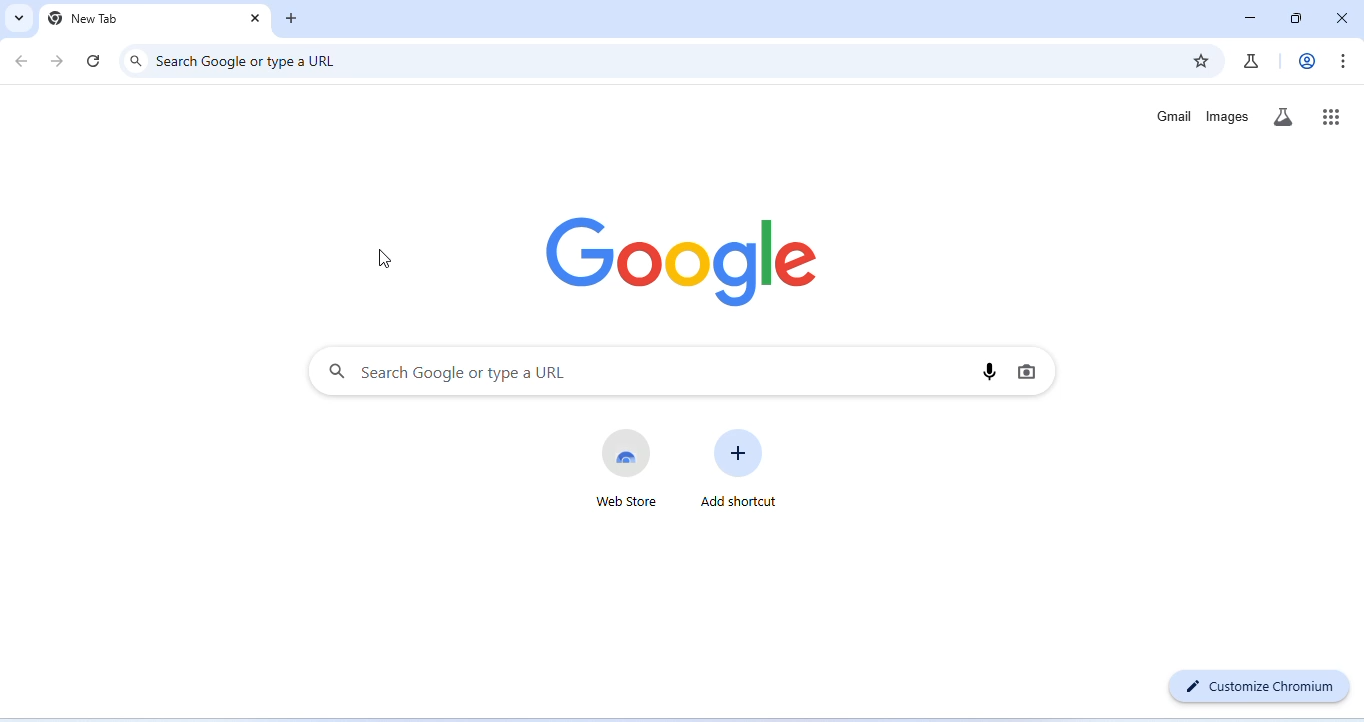 Image resolution: width=1364 pixels, height=722 pixels. What do you see at coordinates (1251, 61) in the screenshot?
I see `chrome labs` at bounding box center [1251, 61].